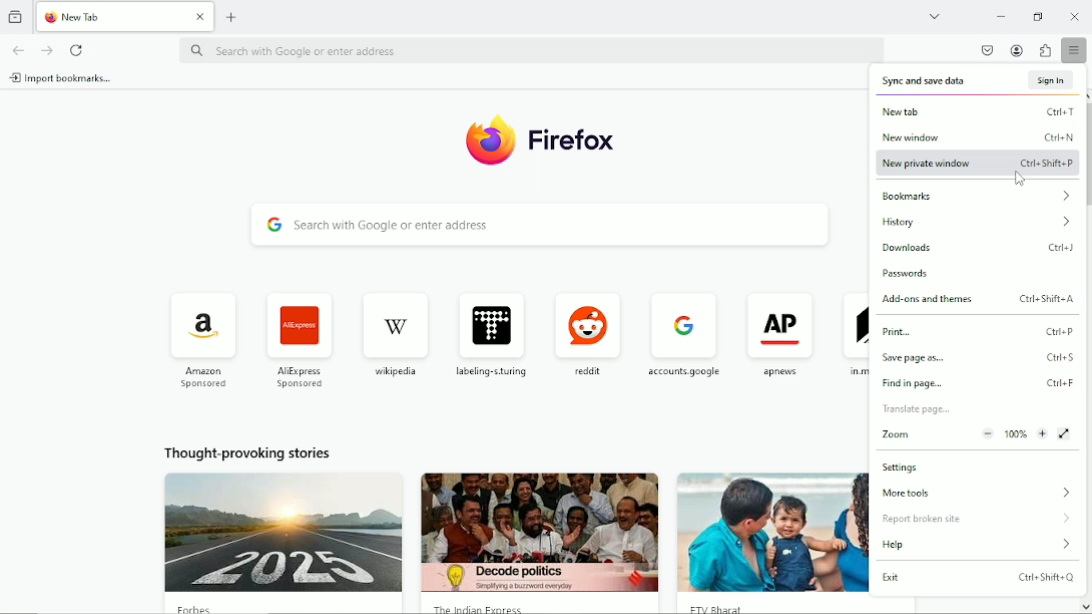  I want to click on sync and save data, so click(928, 82).